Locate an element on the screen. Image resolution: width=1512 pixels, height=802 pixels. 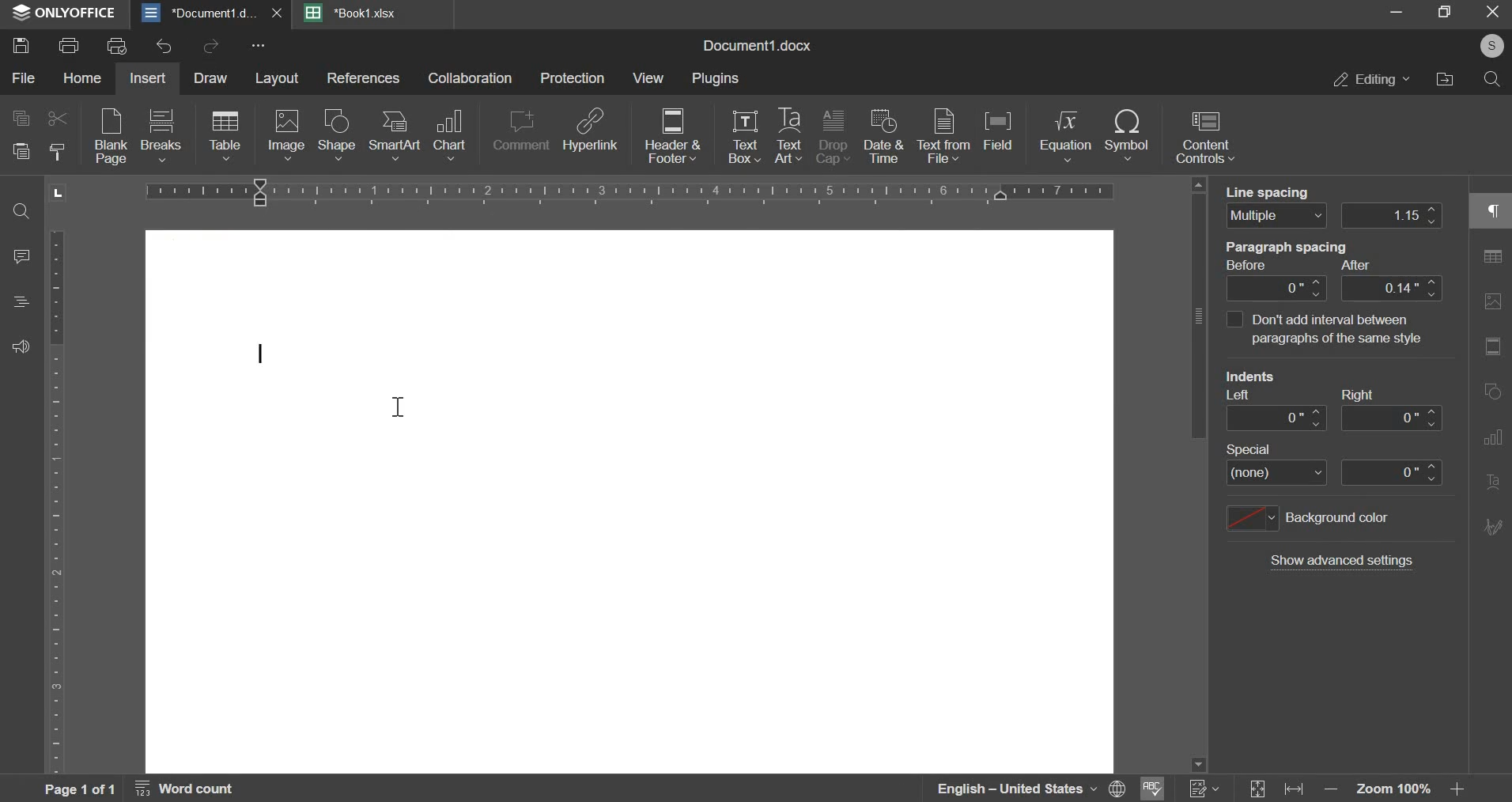
hyperlink is located at coordinates (592, 134).